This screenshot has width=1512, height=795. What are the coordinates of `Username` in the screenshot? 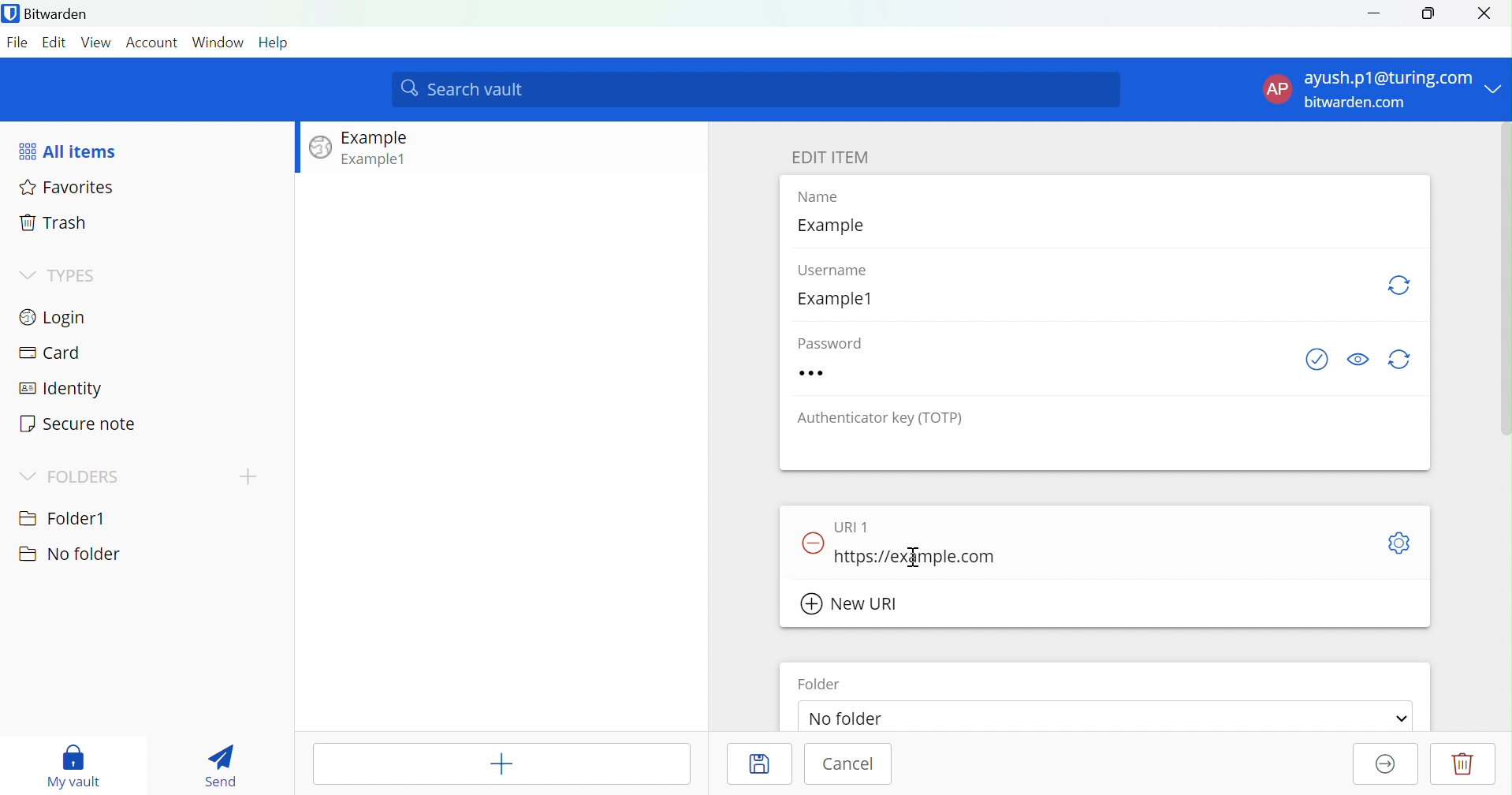 It's located at (842, 271).